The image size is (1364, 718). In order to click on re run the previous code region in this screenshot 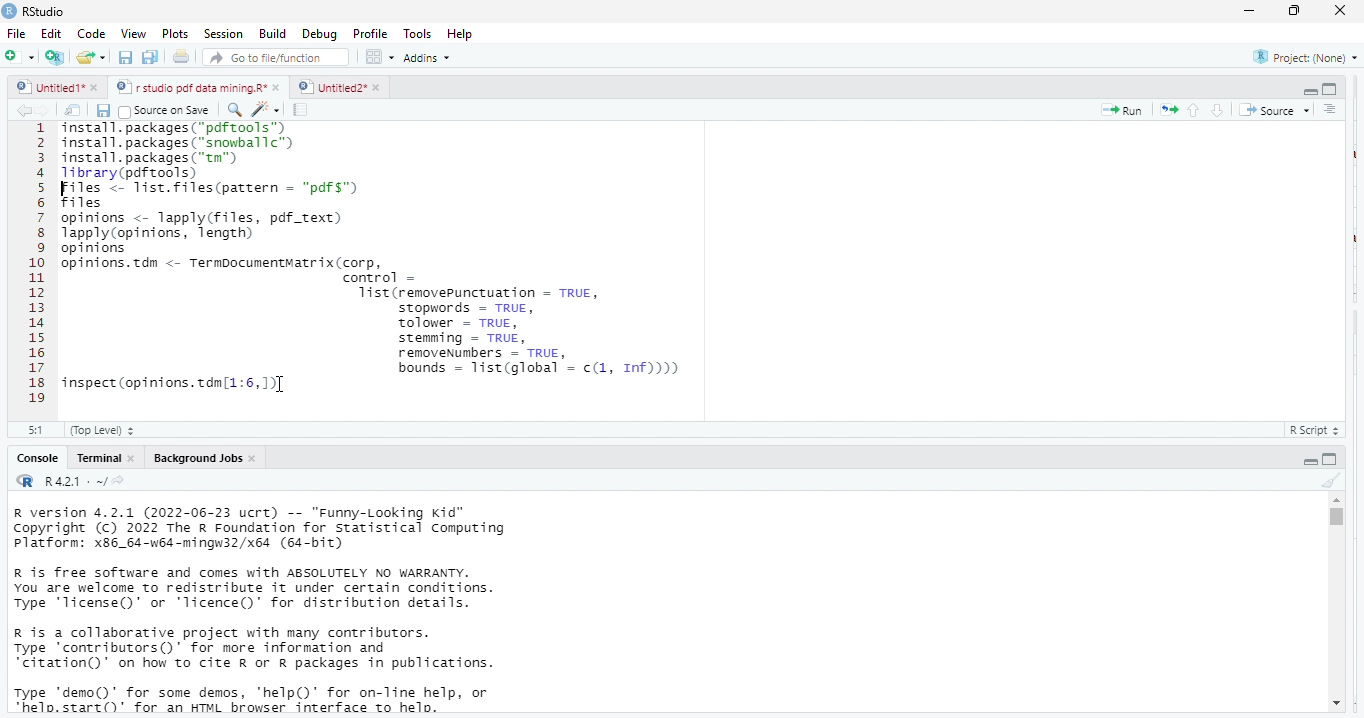, I will do `click(1165, 109)`.